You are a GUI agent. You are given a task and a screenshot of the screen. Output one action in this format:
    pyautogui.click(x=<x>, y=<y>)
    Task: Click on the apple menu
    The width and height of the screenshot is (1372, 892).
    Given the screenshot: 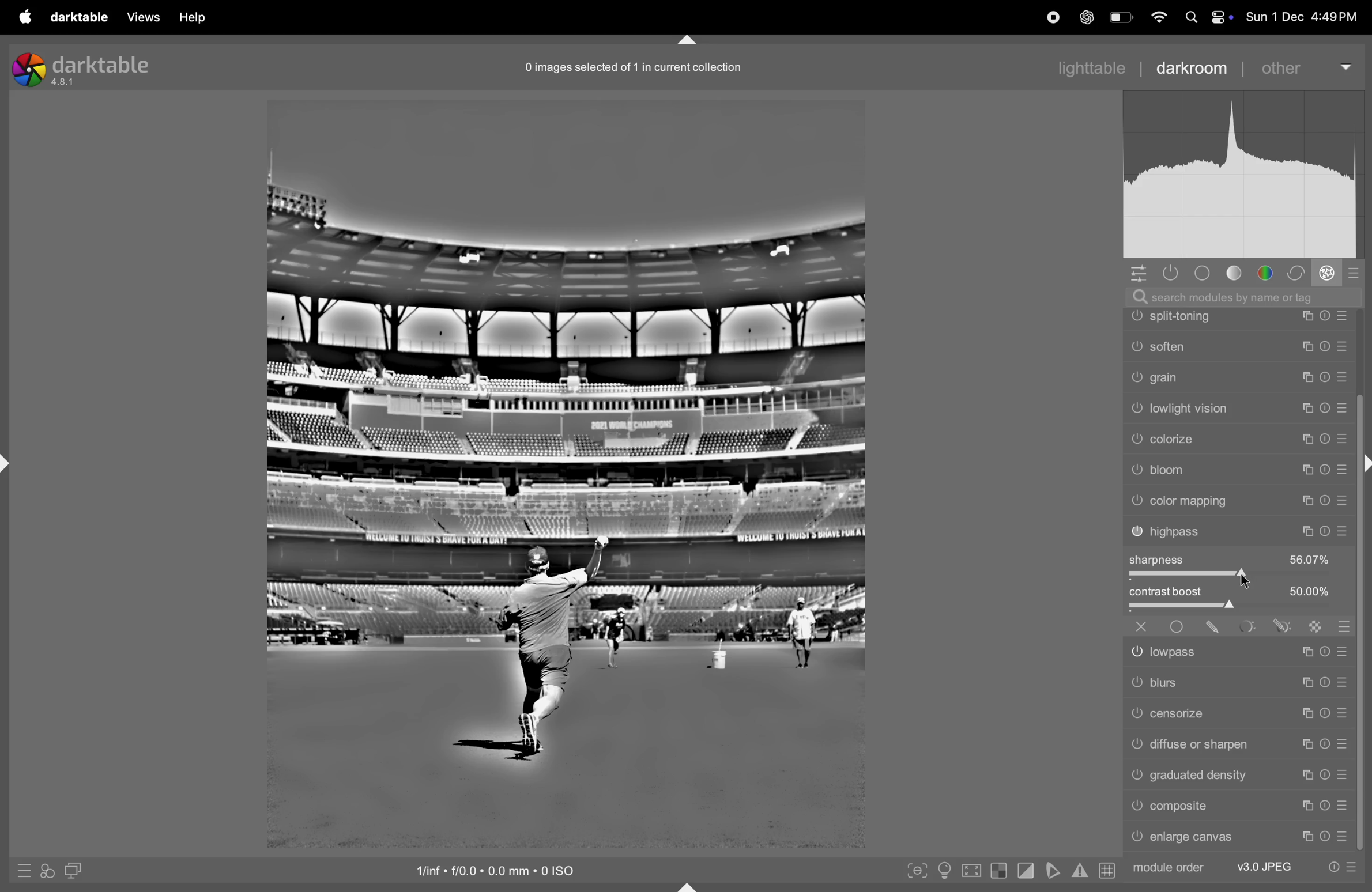 What is the action you would take?
    pyautogui.click(x=22, y=16)
    